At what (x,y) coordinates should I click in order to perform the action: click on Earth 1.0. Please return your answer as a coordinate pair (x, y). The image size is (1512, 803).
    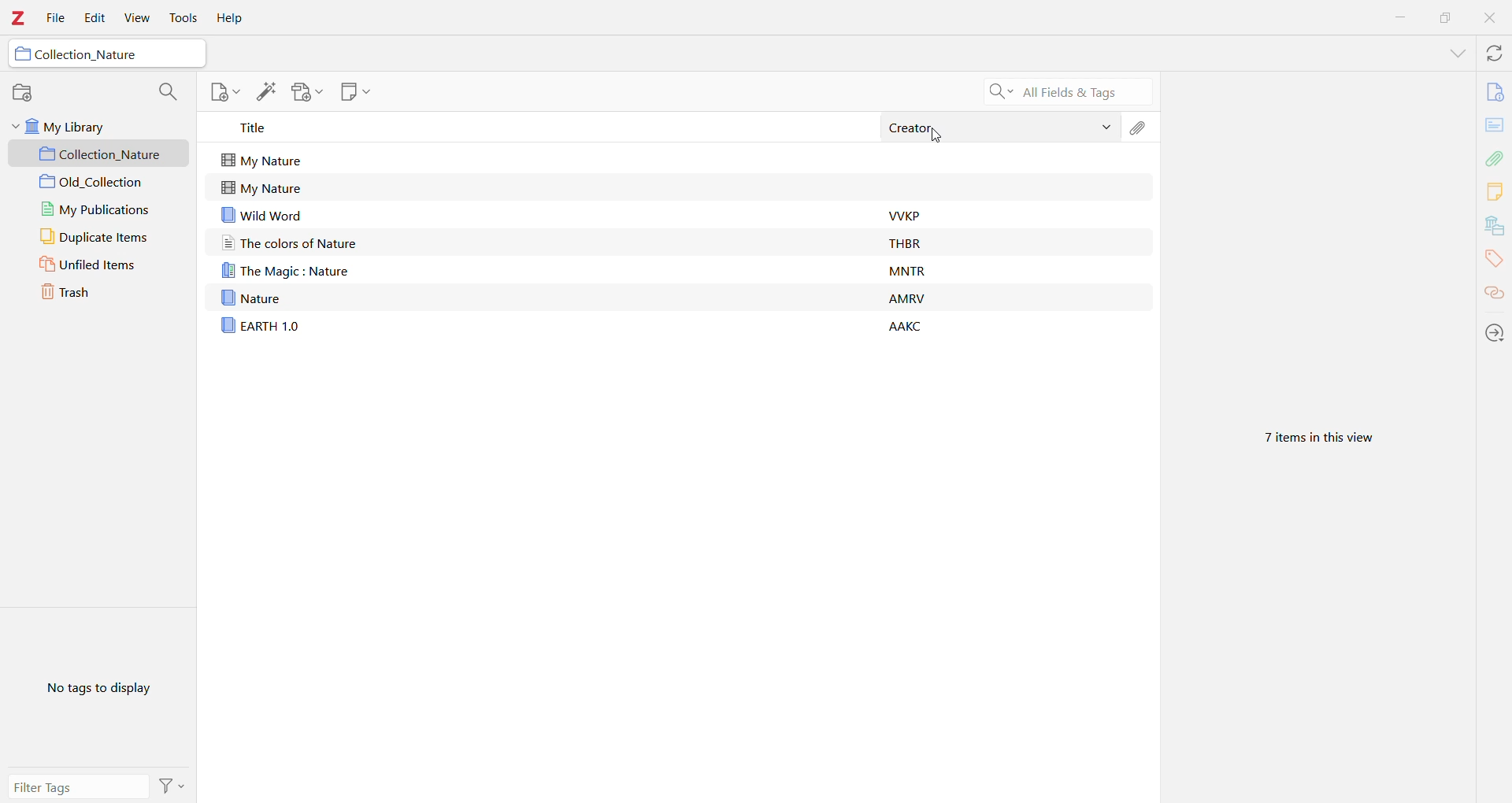
    Looking at the image, I should click on (261, 326).